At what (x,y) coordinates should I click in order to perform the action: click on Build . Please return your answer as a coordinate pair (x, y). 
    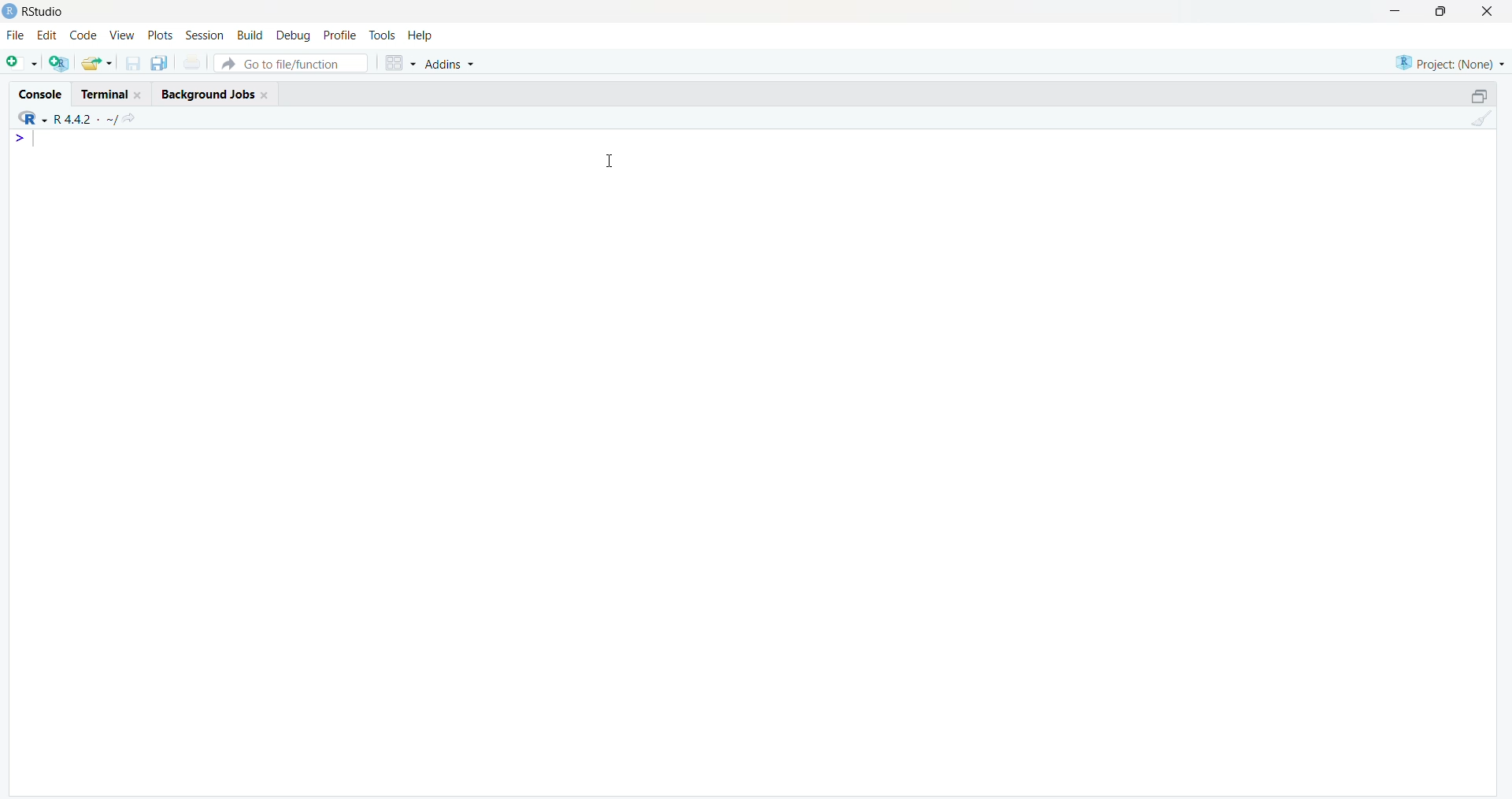
    Looking at the image, I should click on (252, 36).